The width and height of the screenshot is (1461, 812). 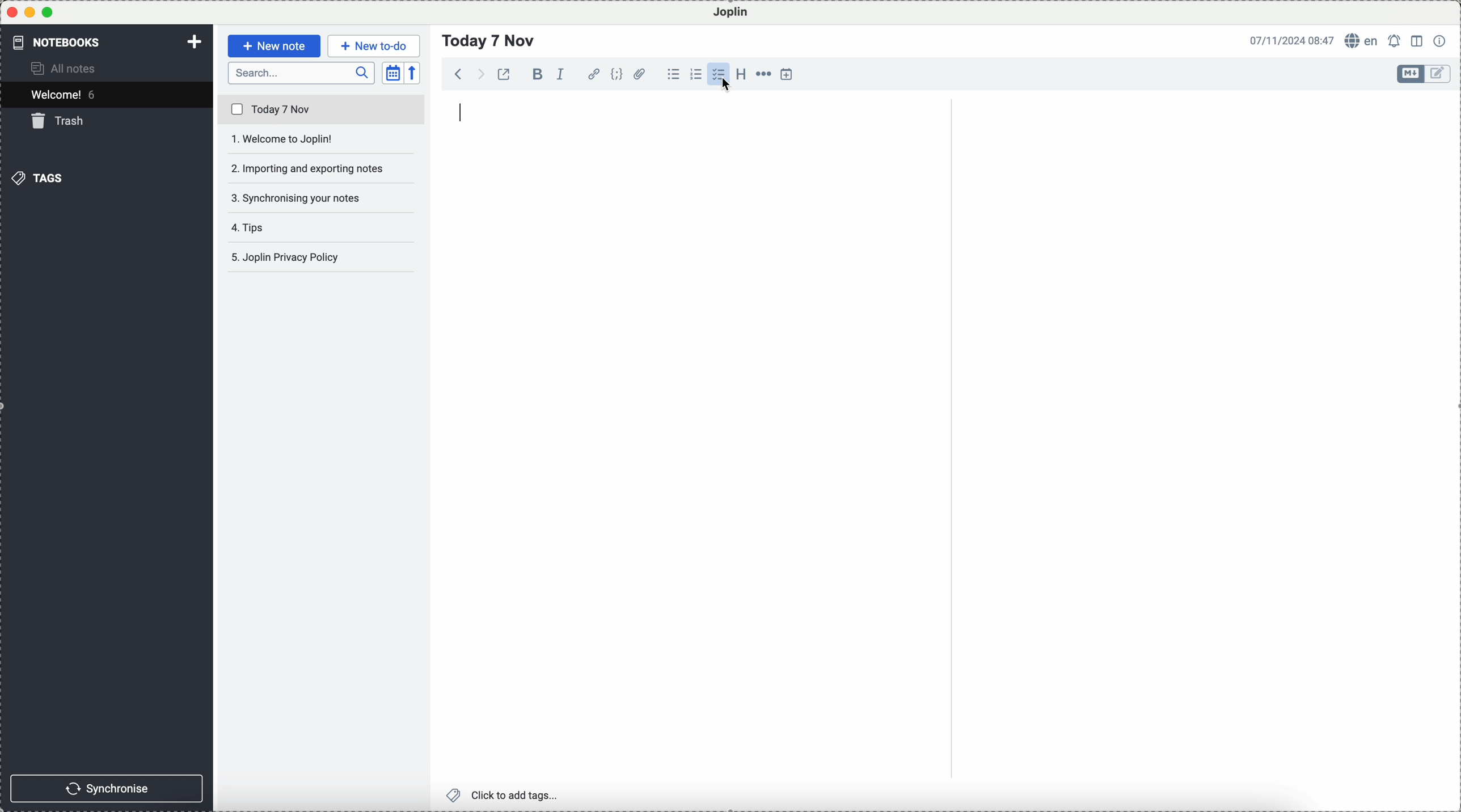 What do you see at coordinates (12, 12) in the screenshot?
I see `close` at bounding box center [12, 12].